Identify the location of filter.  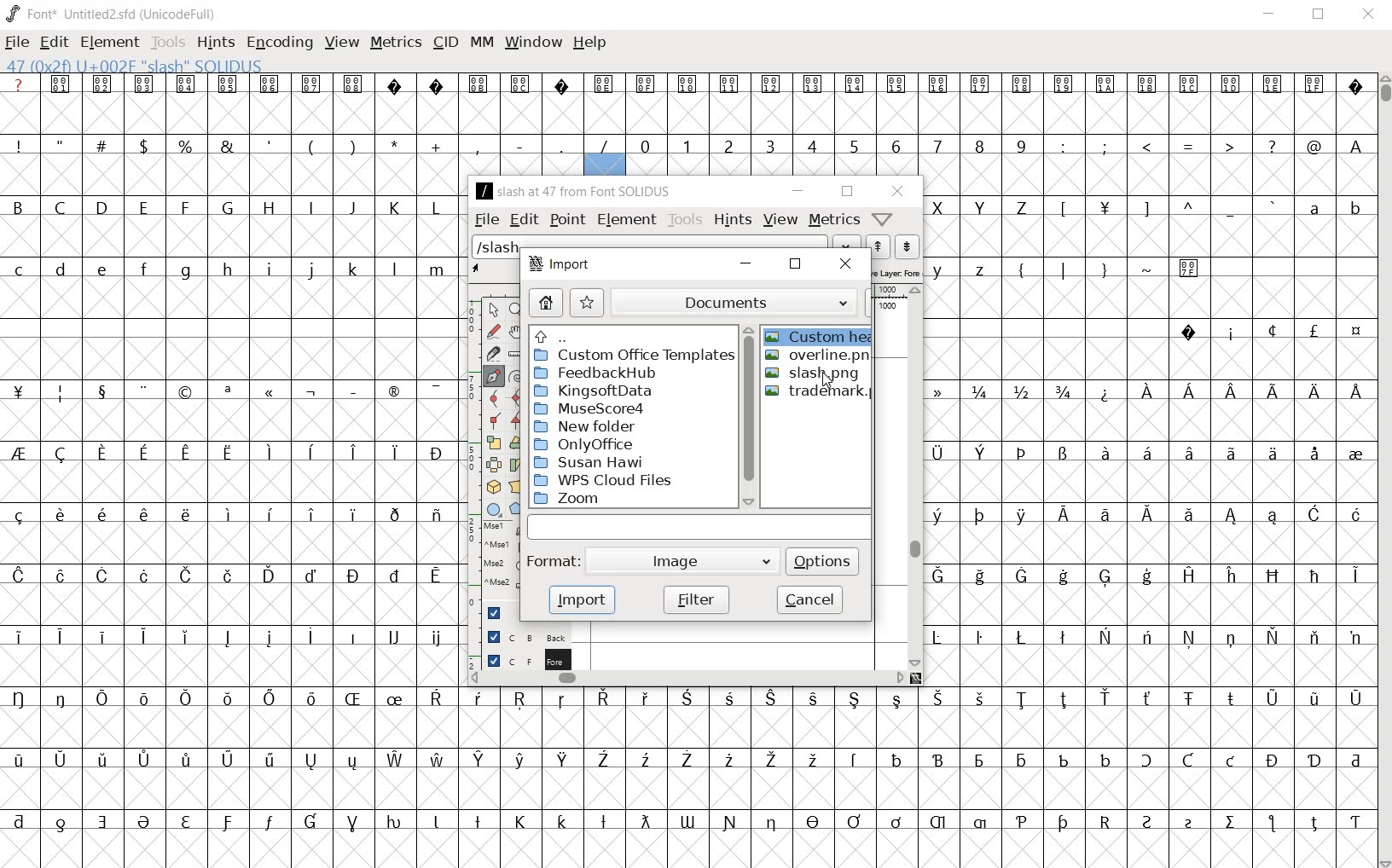
(697, 599).